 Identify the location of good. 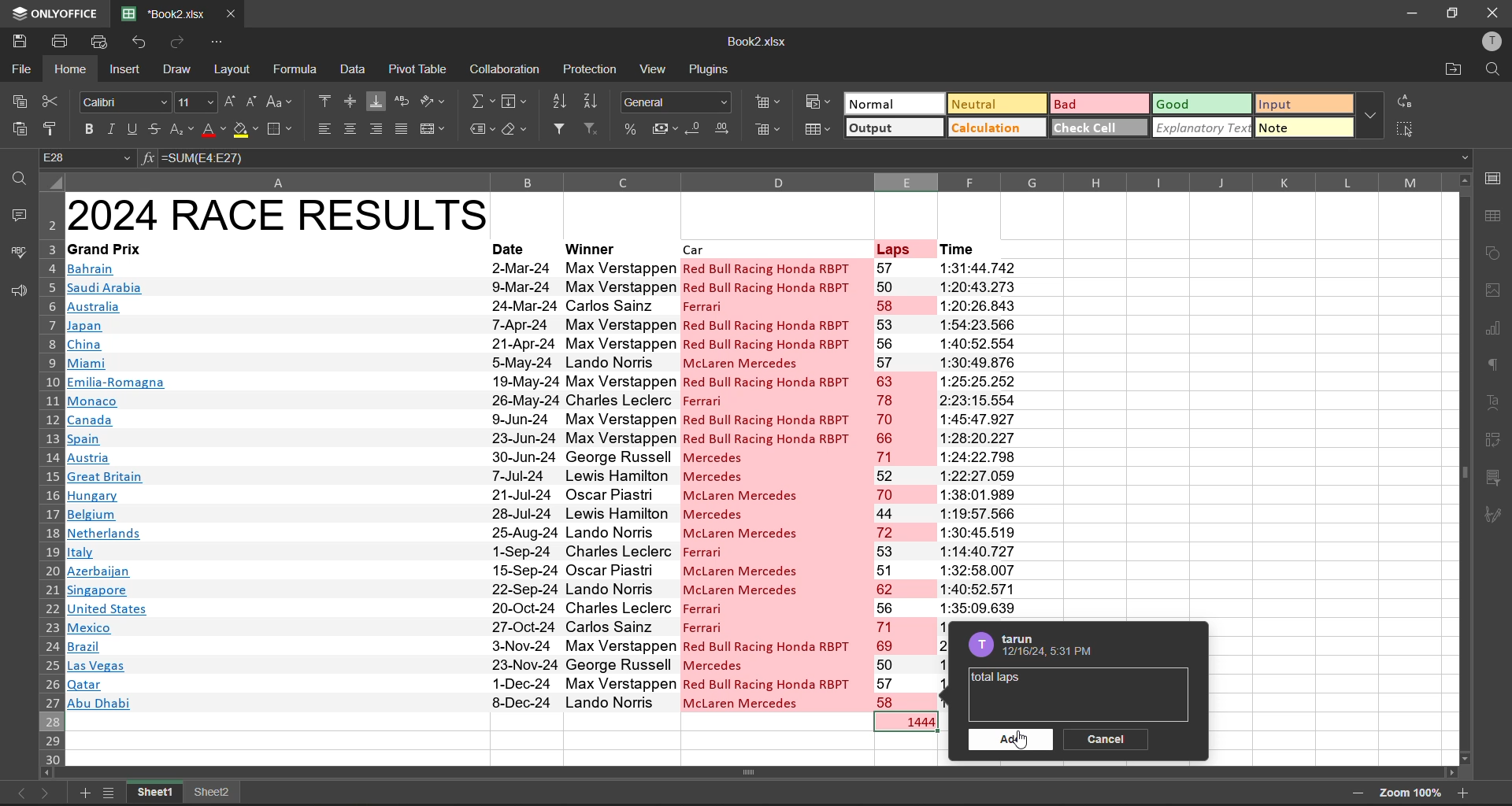
(1200, 103).